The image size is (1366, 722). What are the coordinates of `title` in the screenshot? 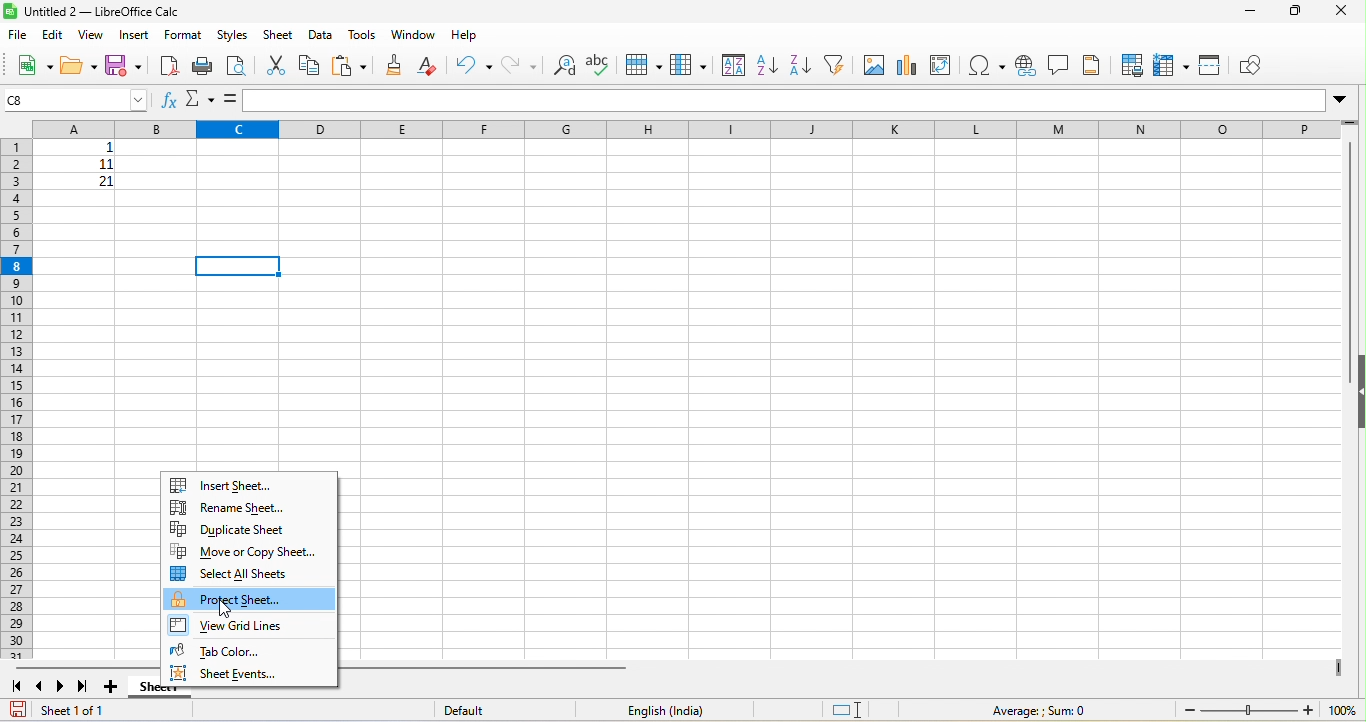 It's located at (95, 12).